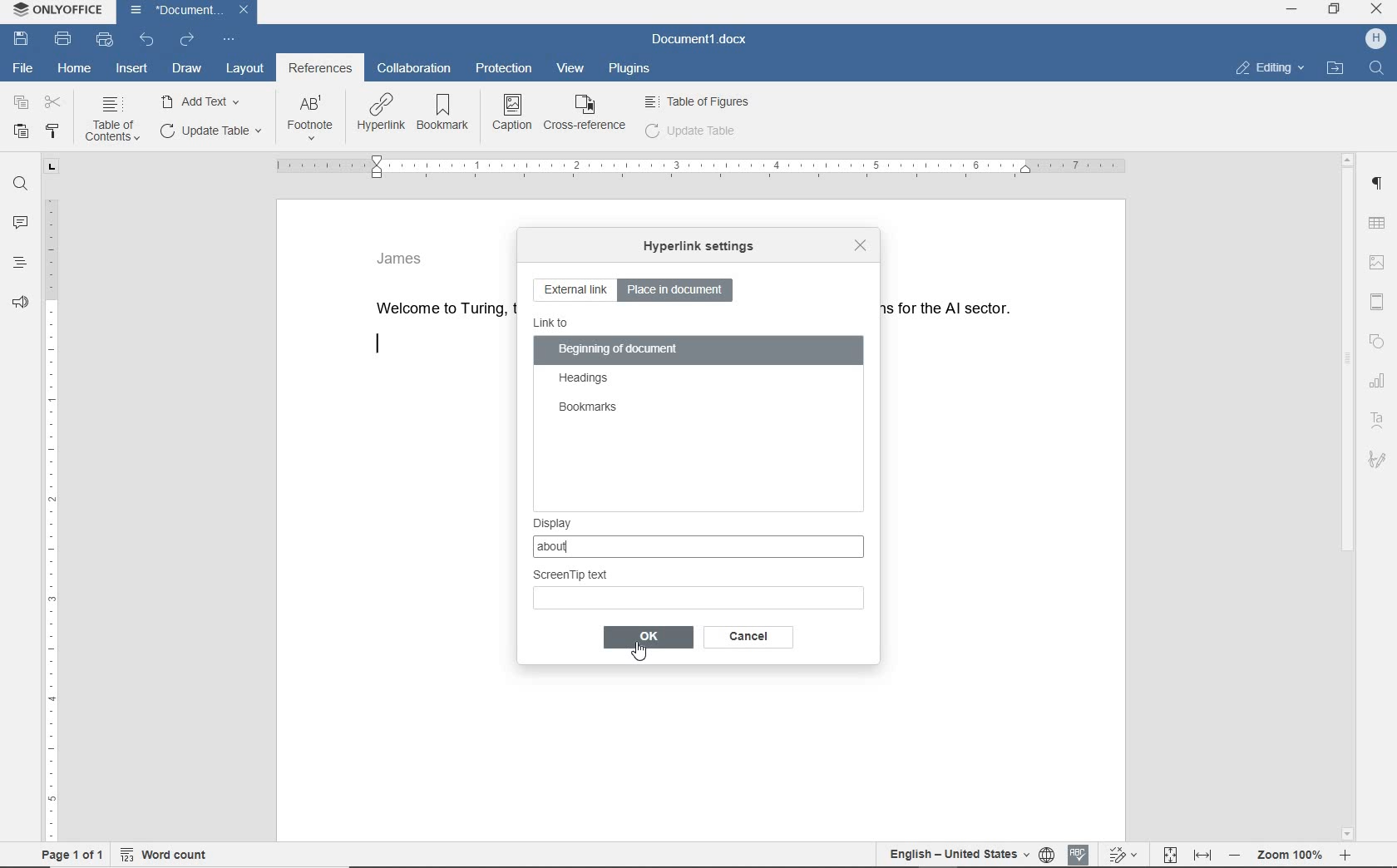 The image size is (1397, 868). I want to click on place in document, so click(679, 289).